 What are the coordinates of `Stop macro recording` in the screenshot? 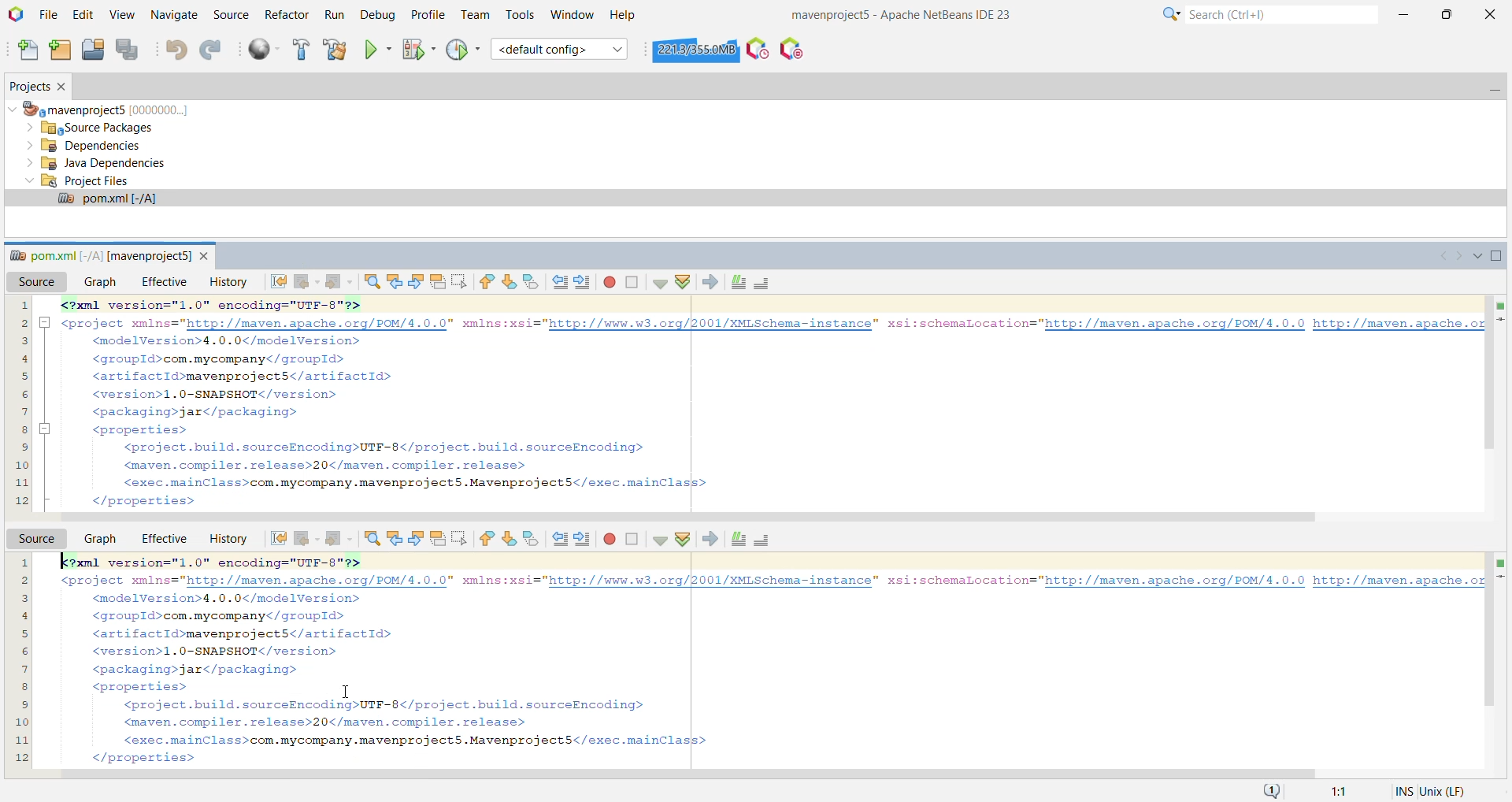 It's located at (632, 282).